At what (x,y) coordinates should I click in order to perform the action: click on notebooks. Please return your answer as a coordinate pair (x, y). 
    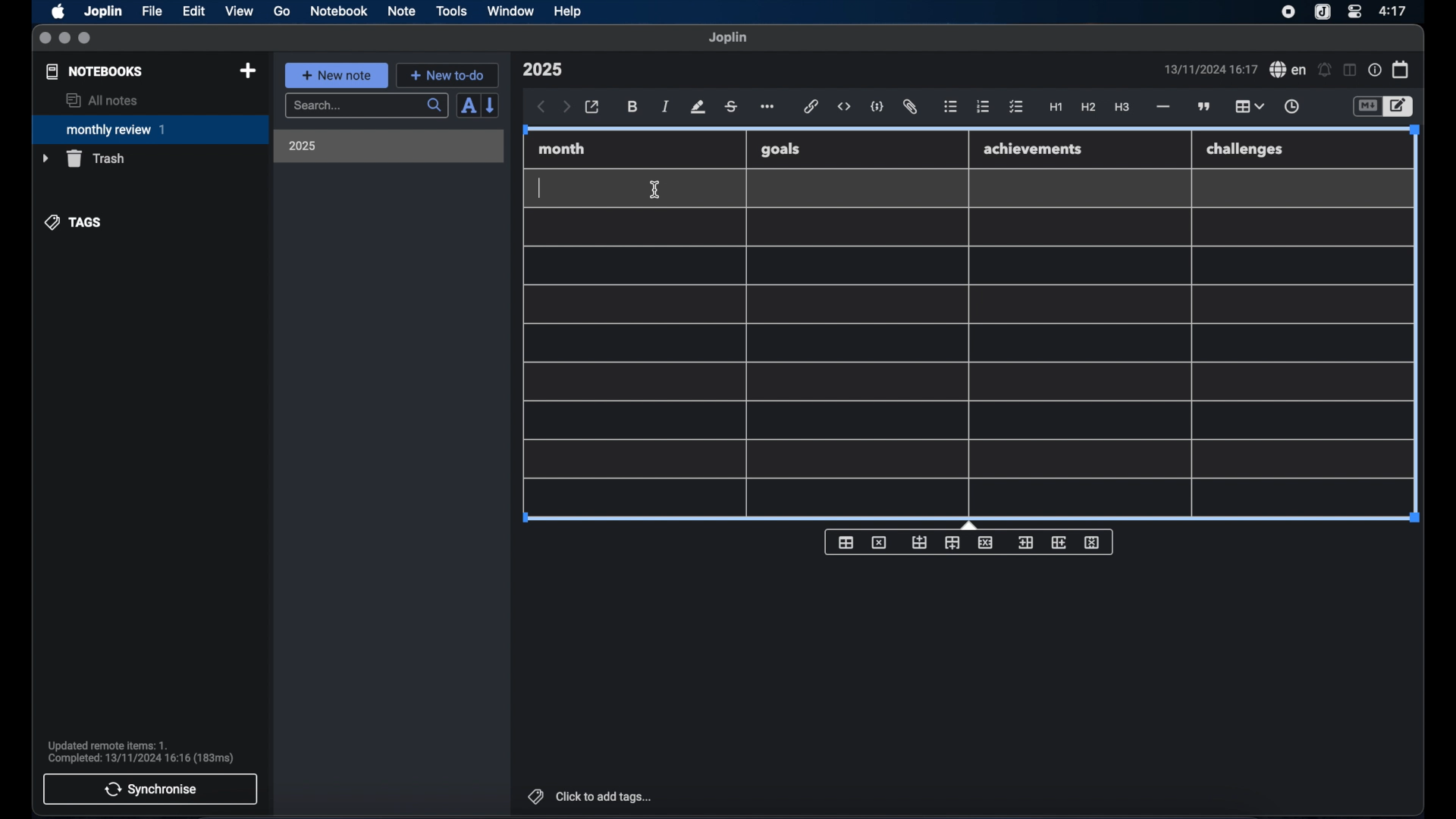
    Looking at the image, I should click on (95, 71).